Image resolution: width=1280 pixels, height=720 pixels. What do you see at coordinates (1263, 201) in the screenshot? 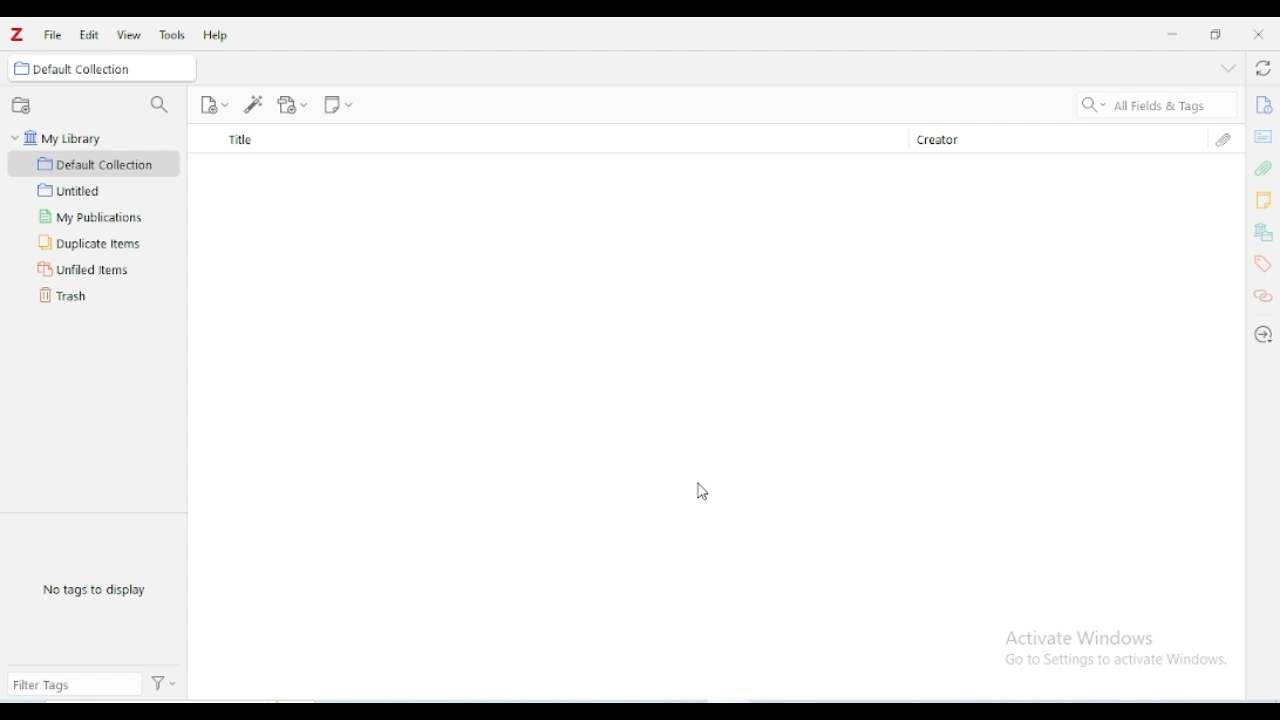
I see `notes` at bounding box center [1263, 201].